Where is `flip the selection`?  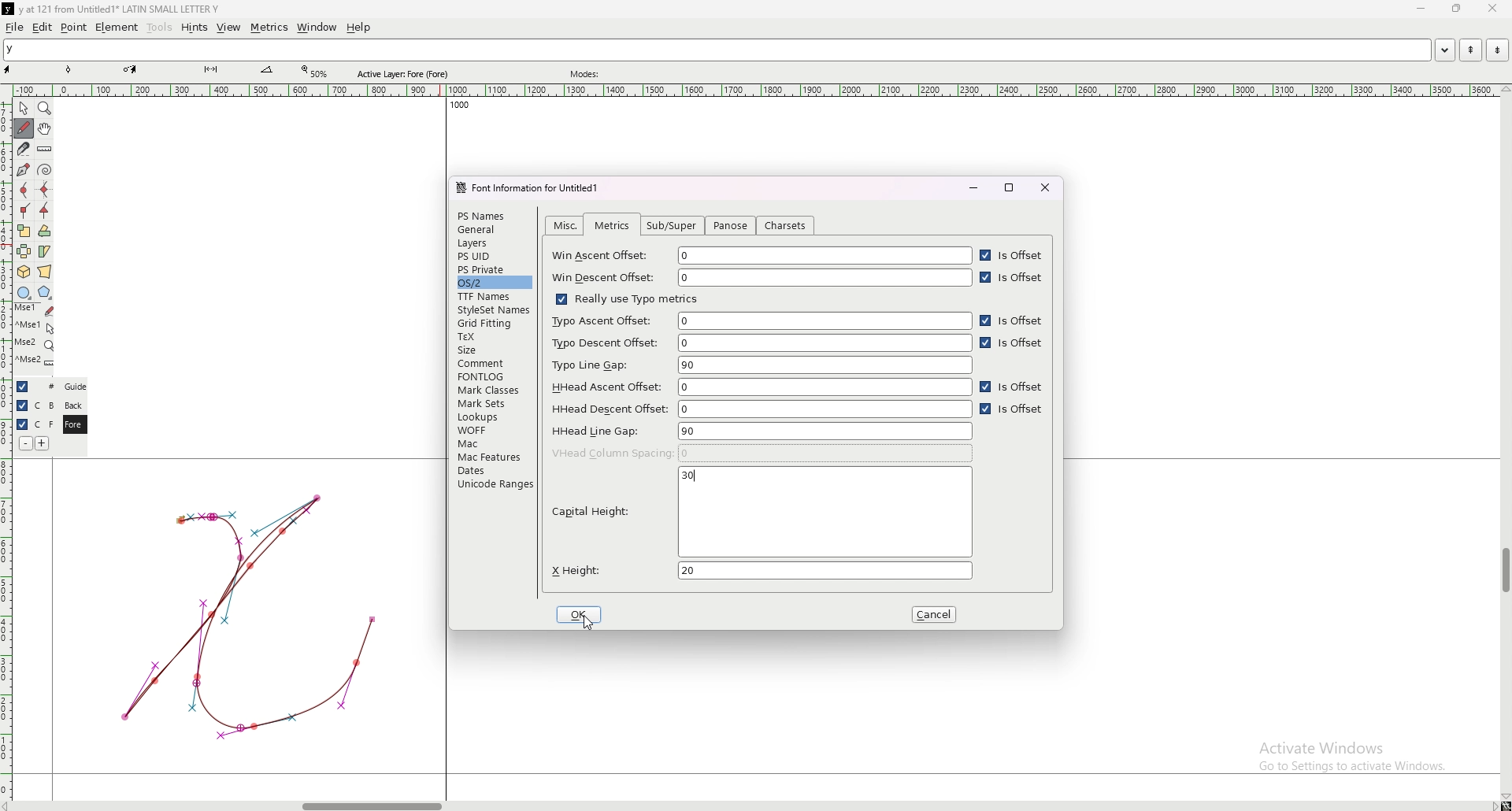 flip the selection is located at coordinates (24, 251).